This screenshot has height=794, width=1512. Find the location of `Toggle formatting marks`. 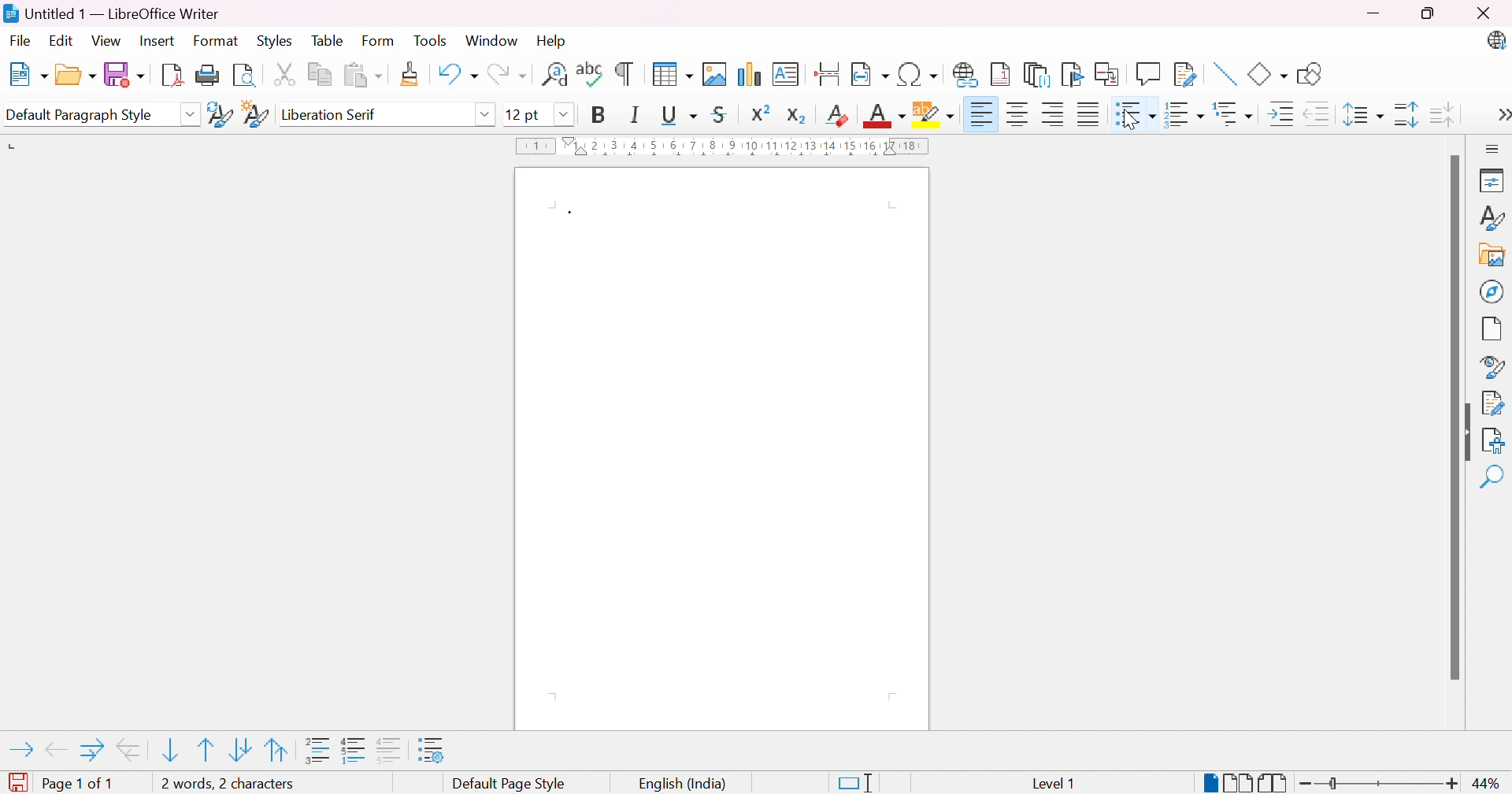

Toggle formatting marks is located at coordinates (626, 72).